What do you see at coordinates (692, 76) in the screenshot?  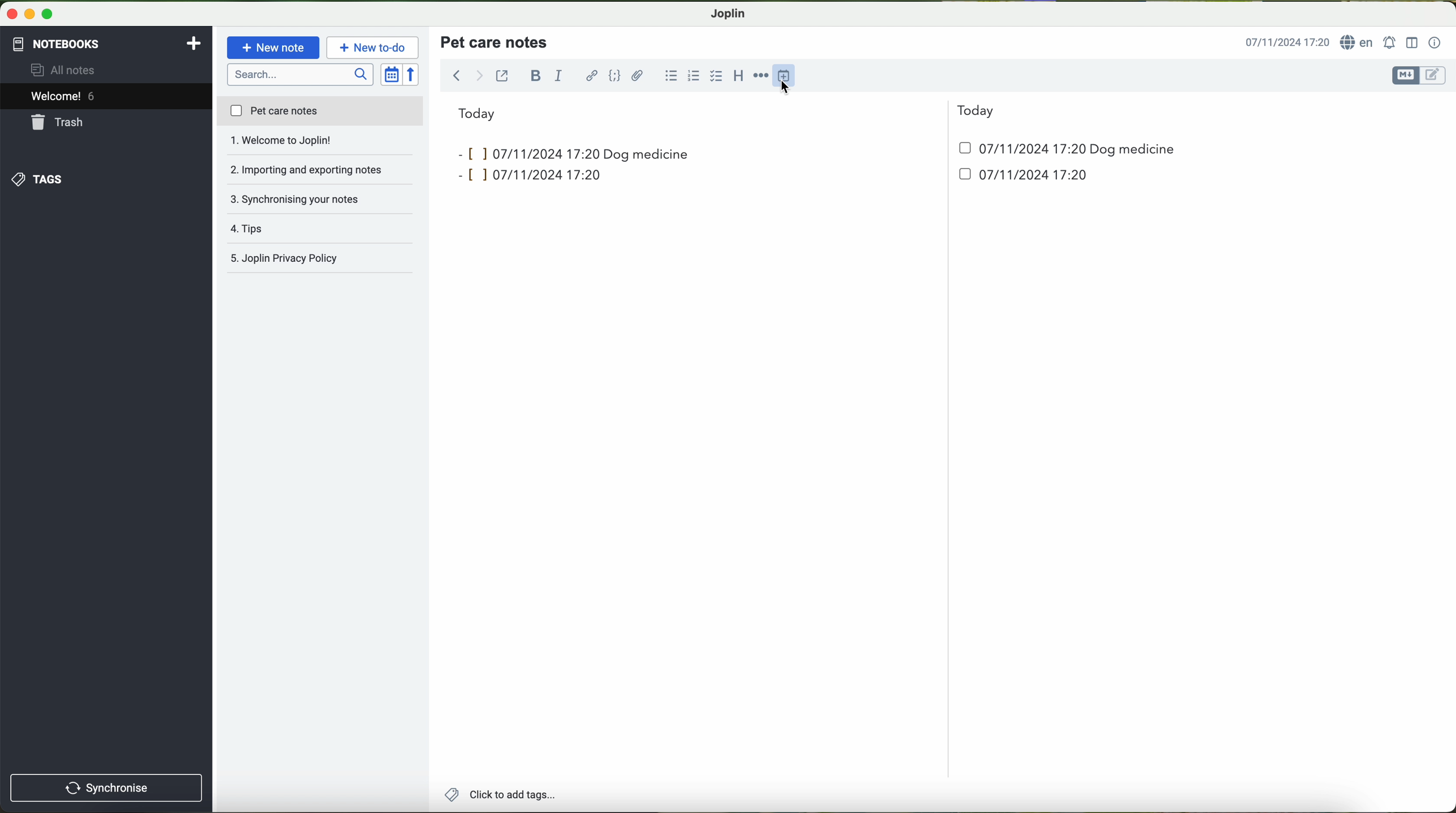 I see `numbered list` at bounding box center [692, 76].